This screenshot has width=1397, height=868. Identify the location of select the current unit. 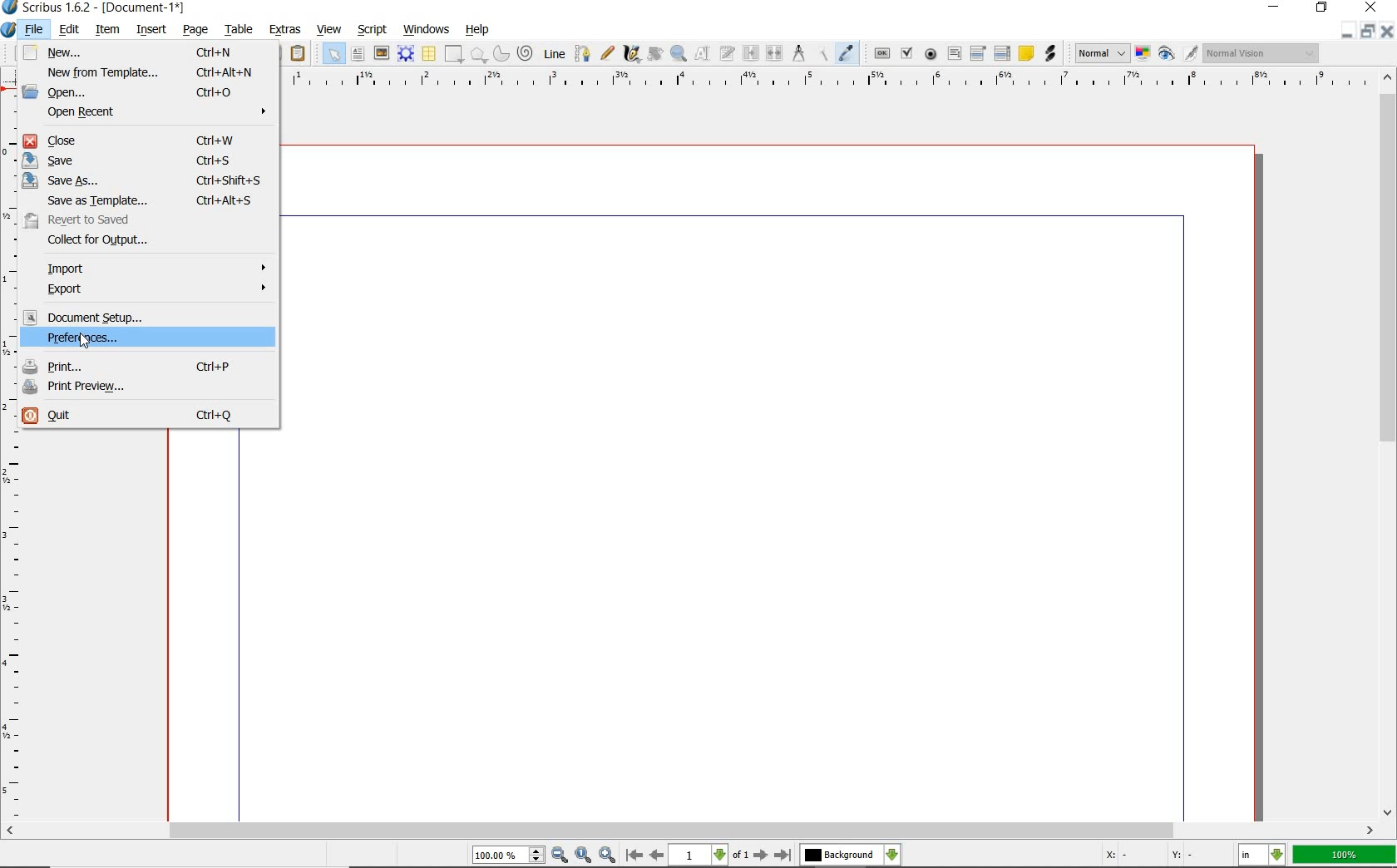
(1261, 856).